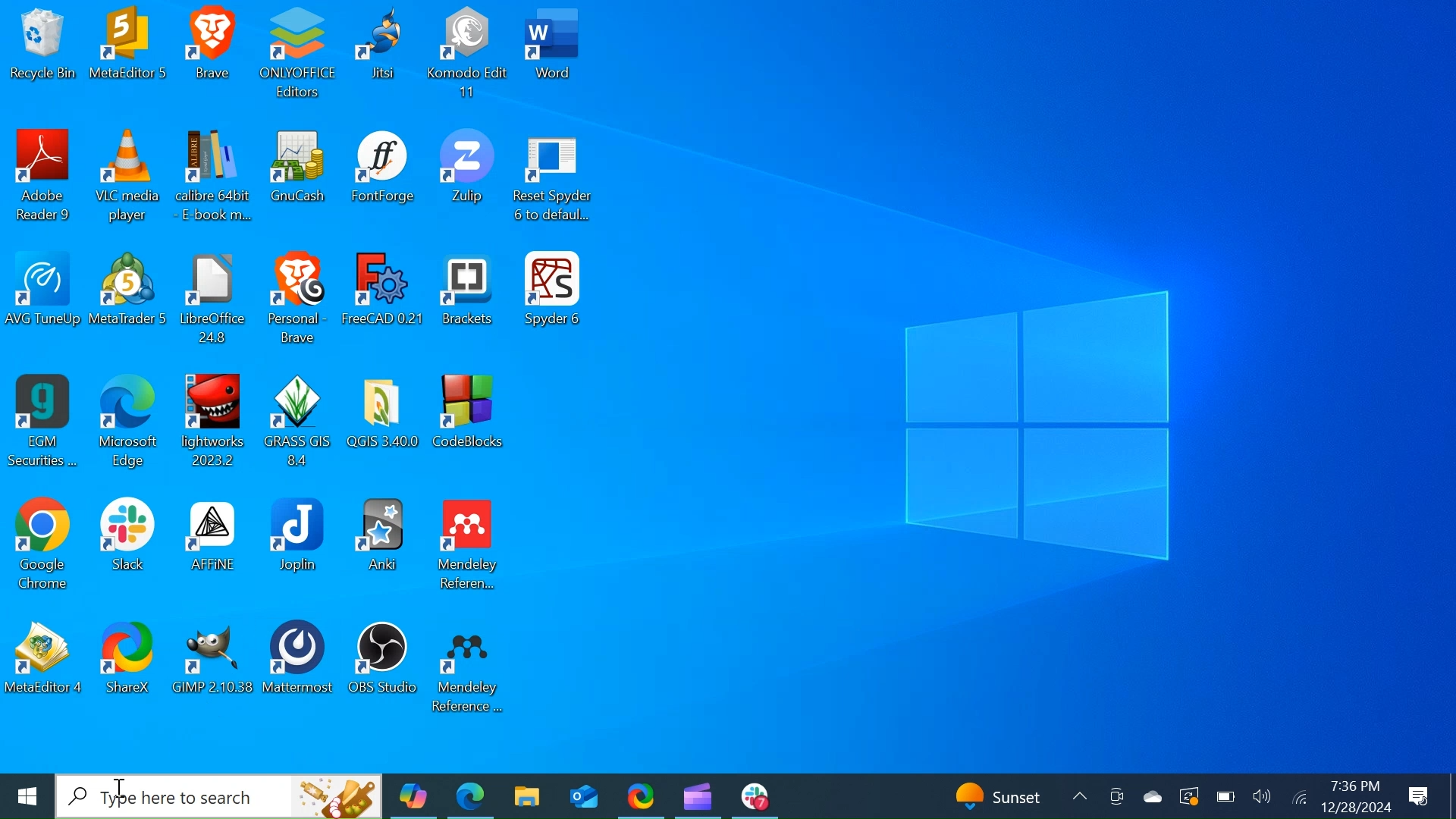 The height and width of the screenshot is (819, 1456). Describe the element at coordinates (128, 298) in the screenshot. I see `Meta Desktop Icon` at that location.